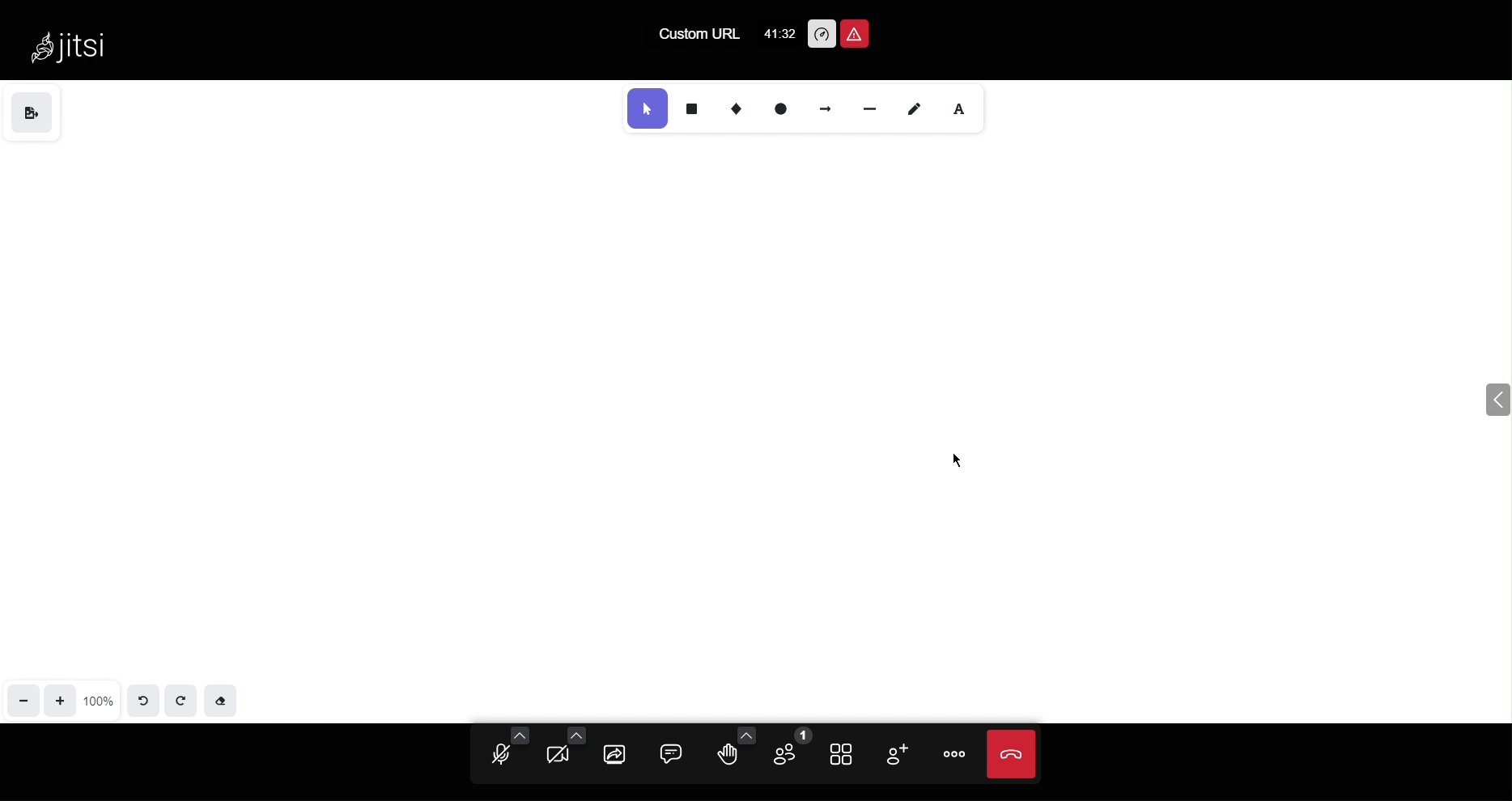 Image resolution: width=1512 pixels, height=801 pixels. What do you see at coordinates (618, 752) in the screenshot?
I see `Share Screen` at bounding box center [618, 752].